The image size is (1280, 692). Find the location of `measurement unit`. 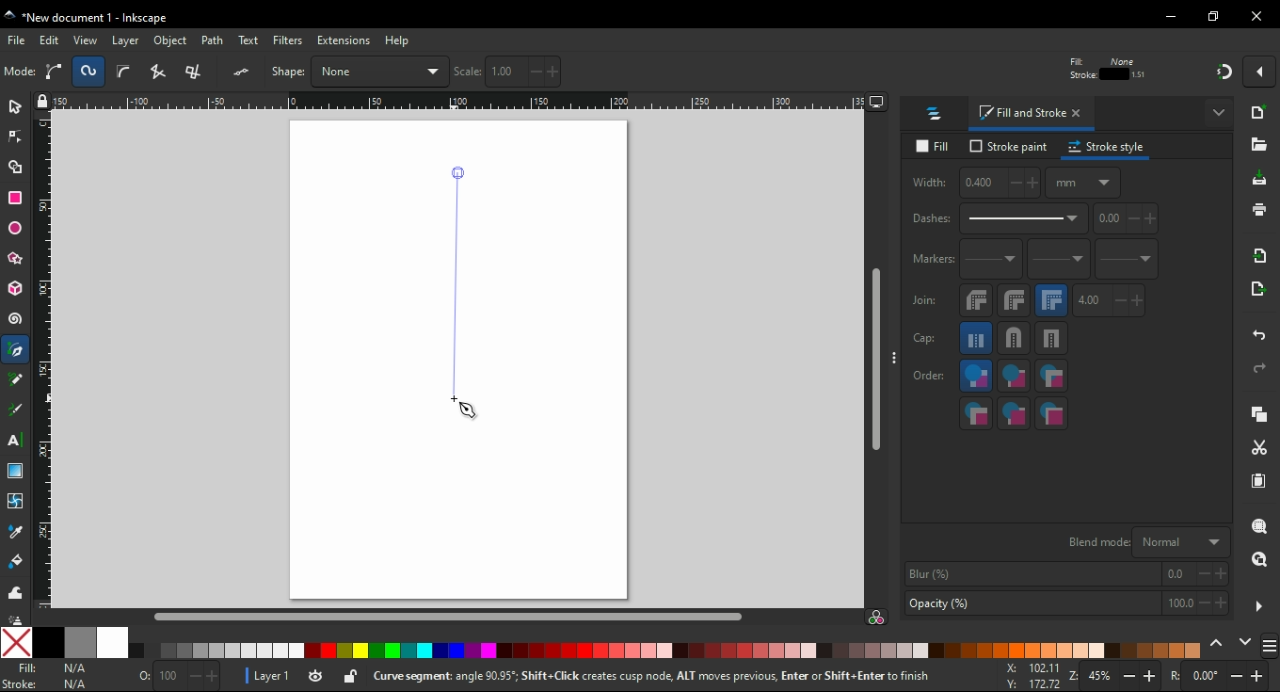

measurement unit is located at coordinates (1012, 71).